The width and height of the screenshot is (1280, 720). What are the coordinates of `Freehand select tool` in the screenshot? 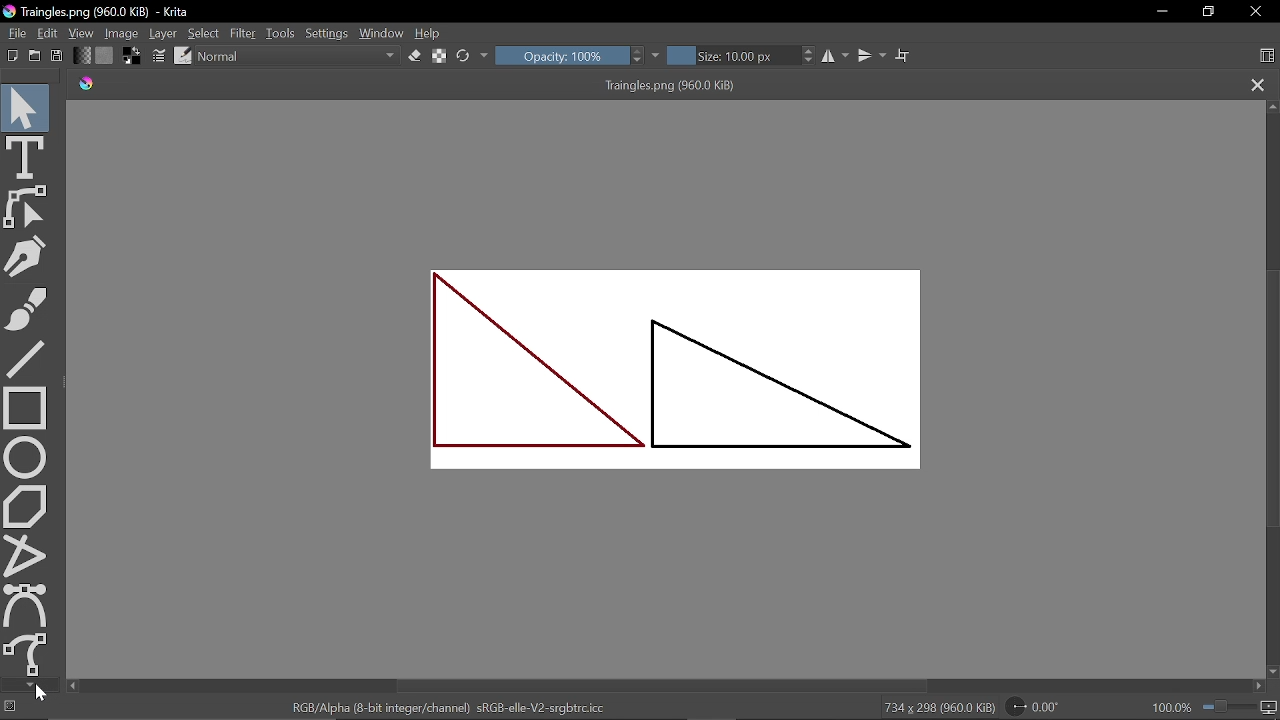 It's located at (28, 654).